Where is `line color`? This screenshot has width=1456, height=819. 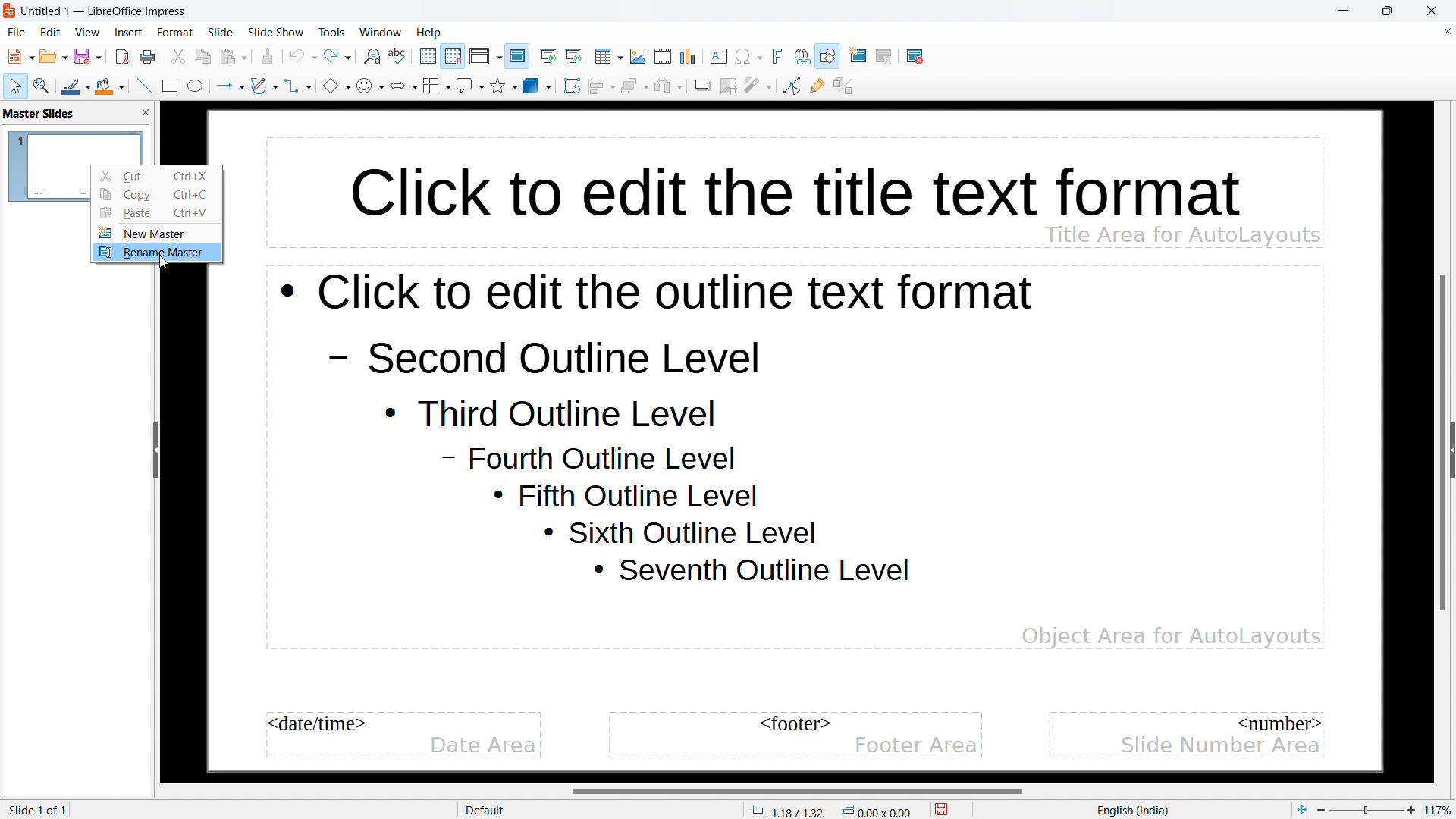
line color is located at coordinates (77, 85).